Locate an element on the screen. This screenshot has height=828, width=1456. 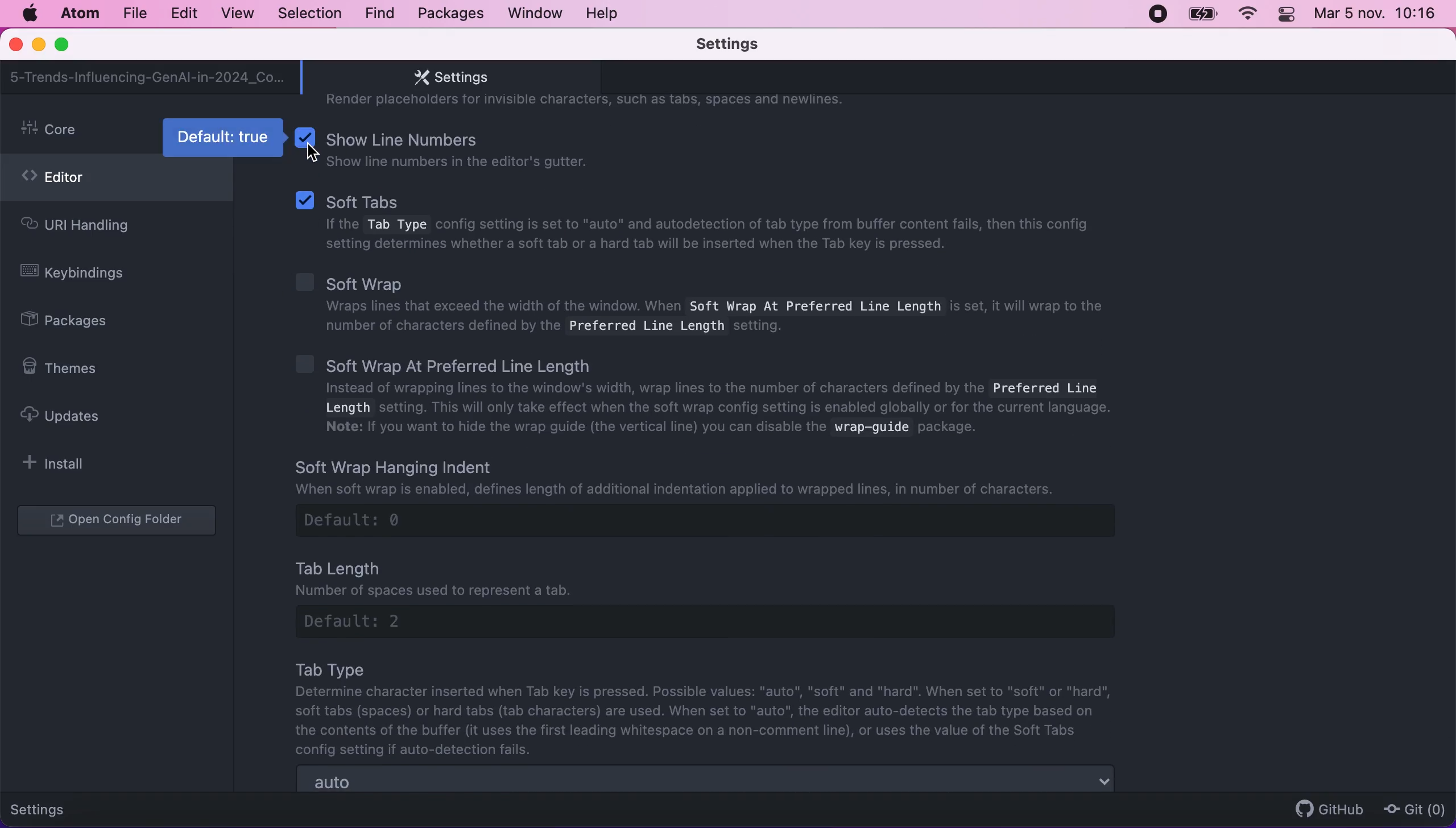
selection is located at coordinates (311, 14).